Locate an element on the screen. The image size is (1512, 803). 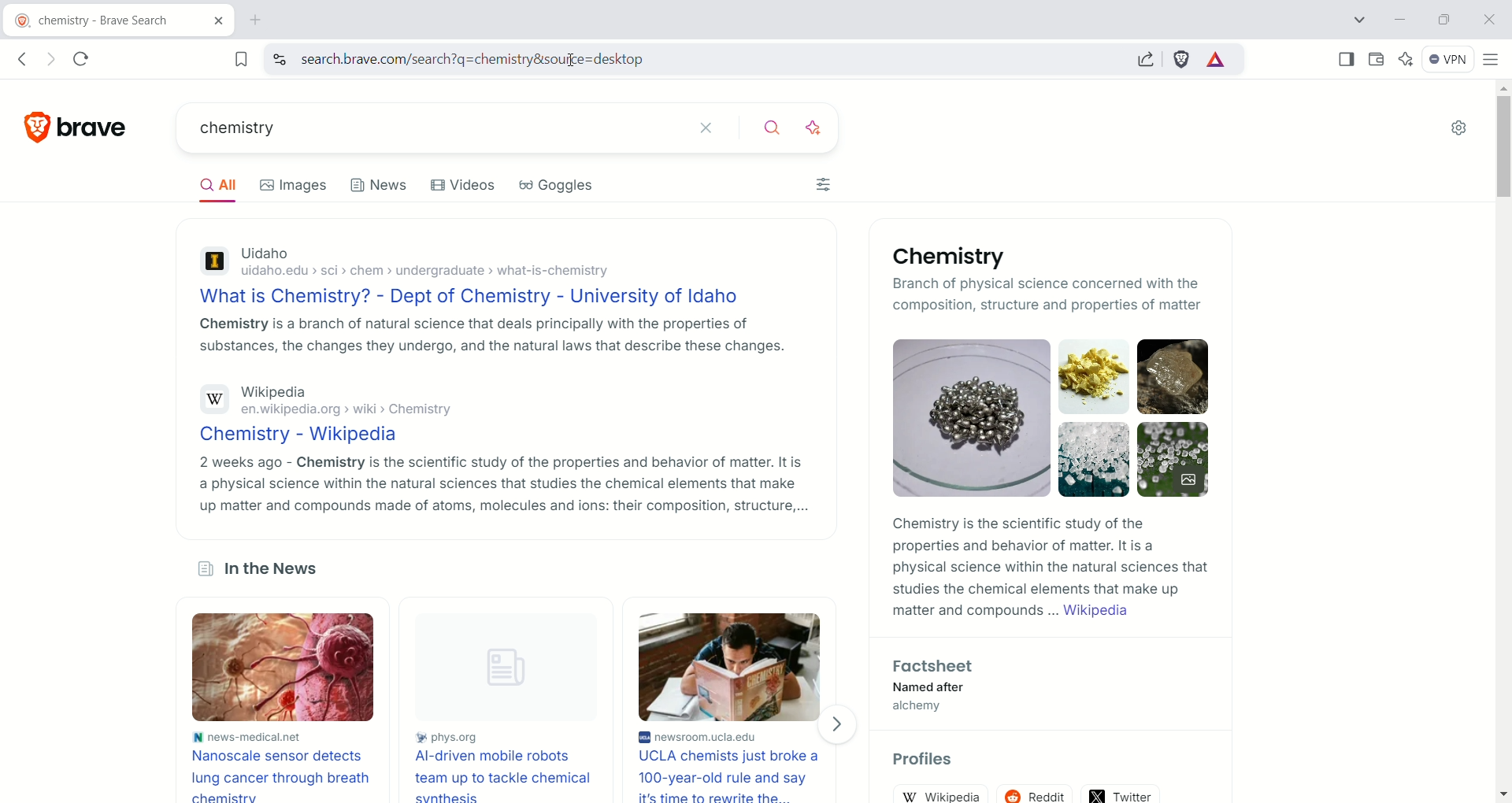
Factsheet is located at coordinates (936, 667).